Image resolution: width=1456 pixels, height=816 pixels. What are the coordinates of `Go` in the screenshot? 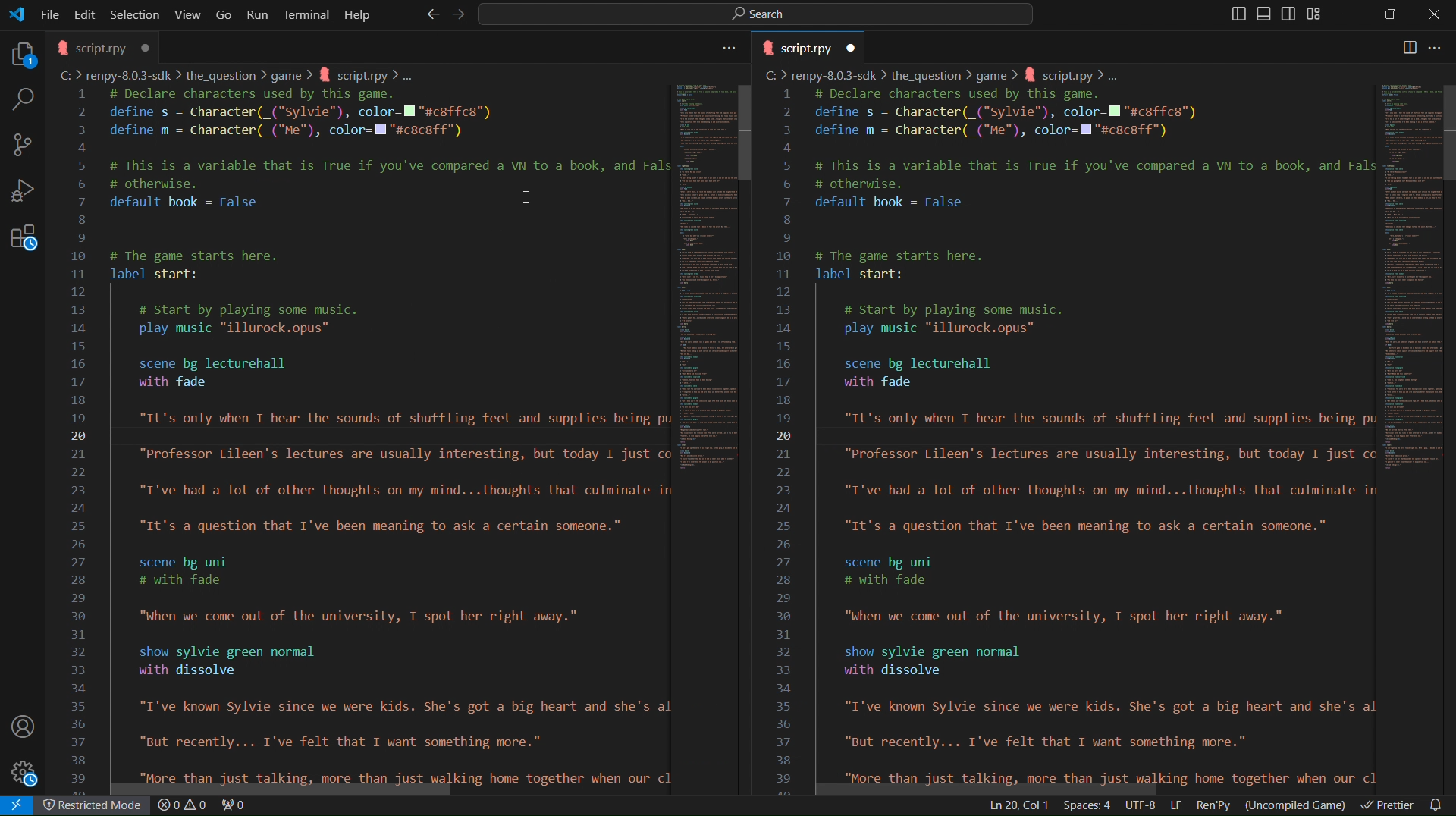 It's located at (225, 13).